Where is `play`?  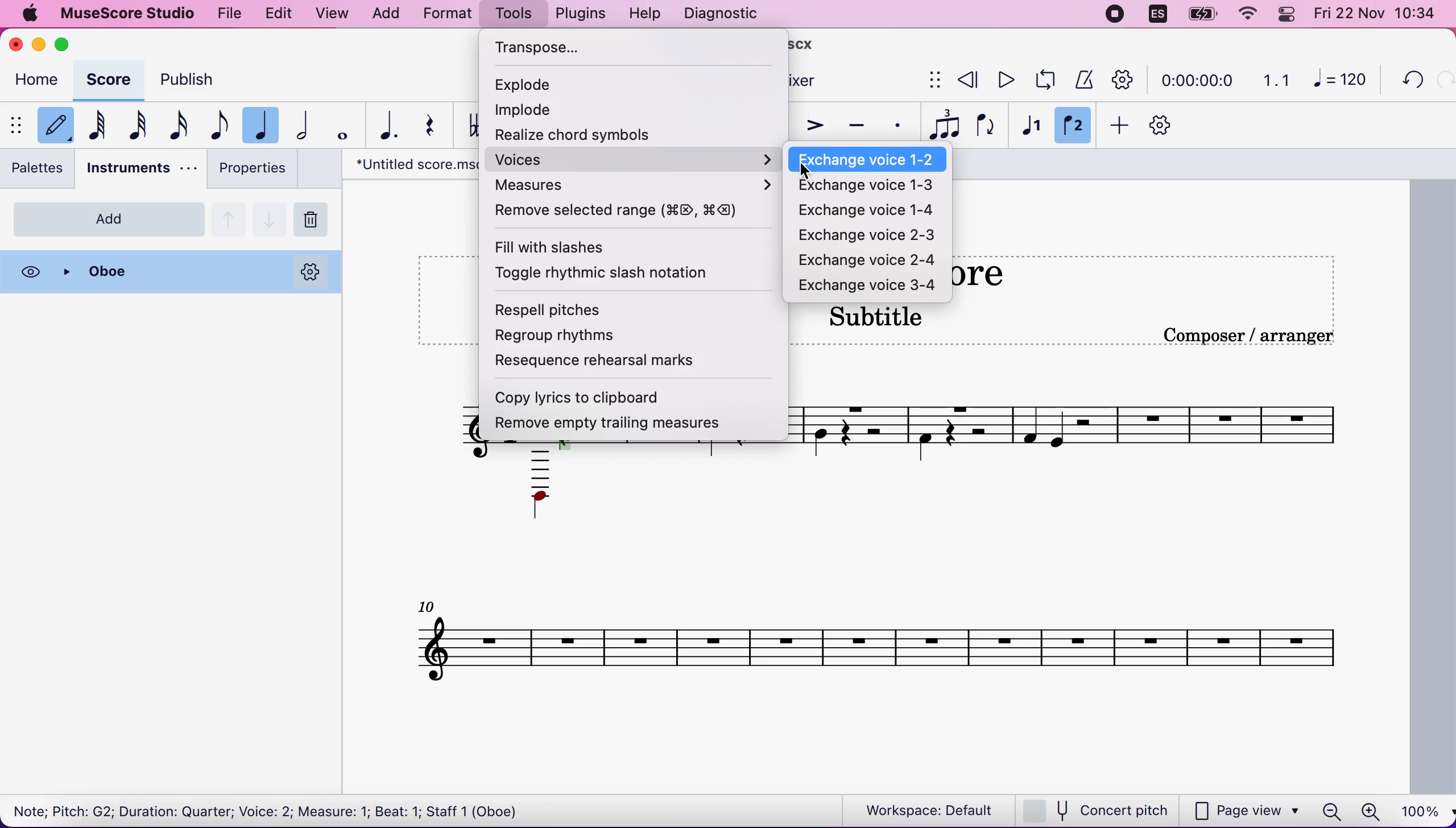
play is located at coordinates (1001, 82).